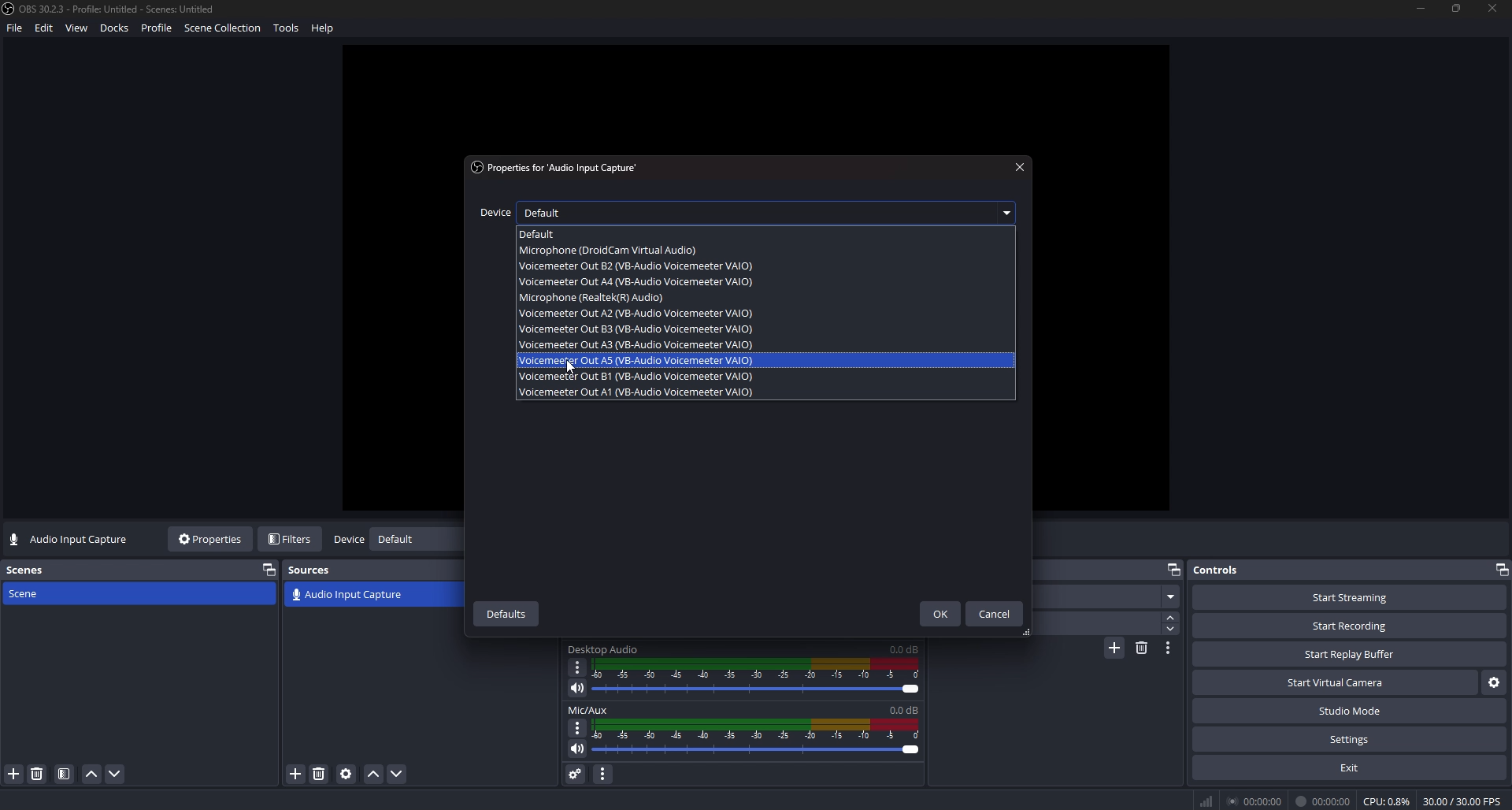  Describe the element at coordinates (111, 9) in the screenshot. I see `file name` at that location.